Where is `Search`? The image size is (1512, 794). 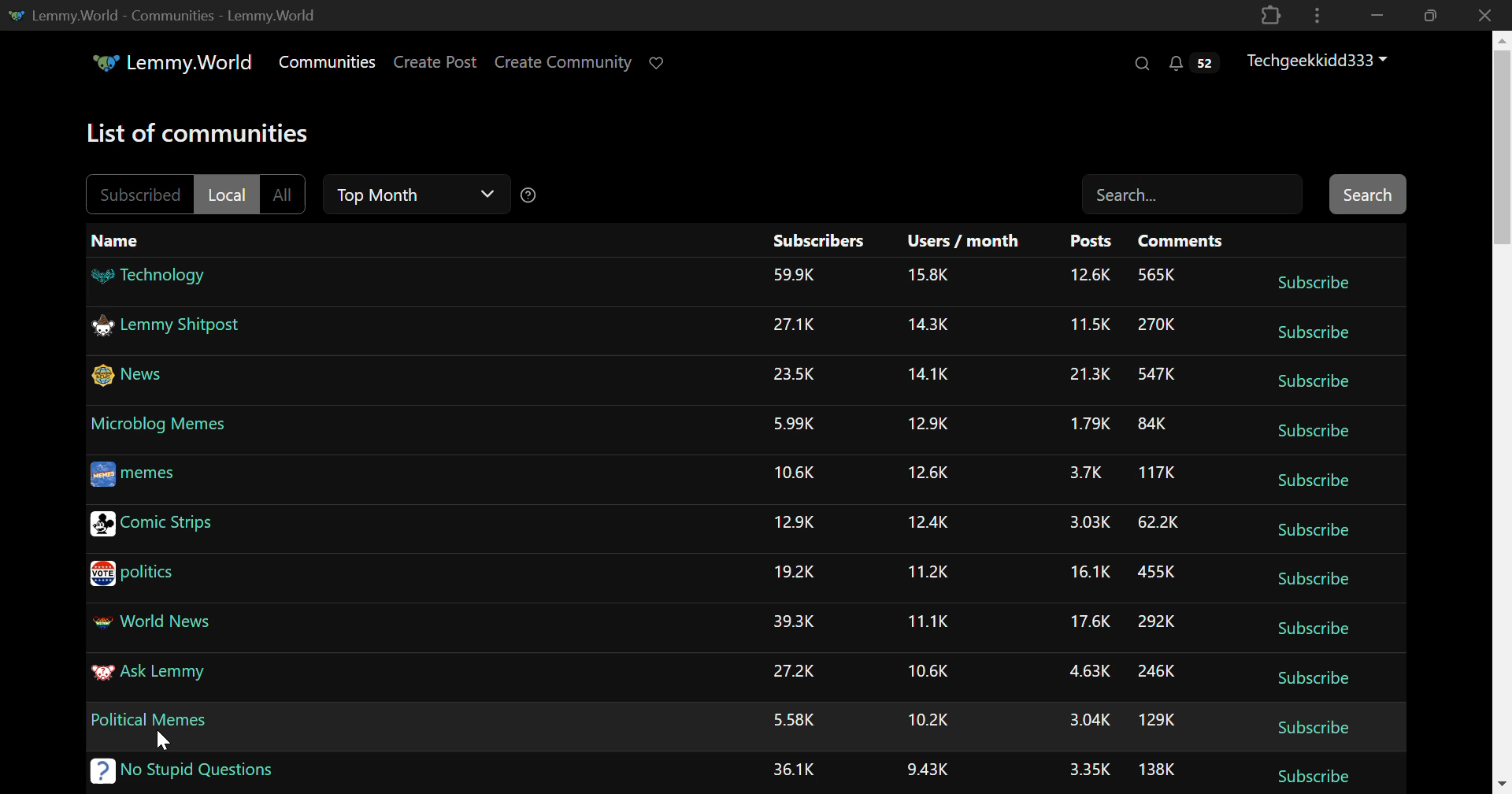
Search is located at coordinates (1143, 65).